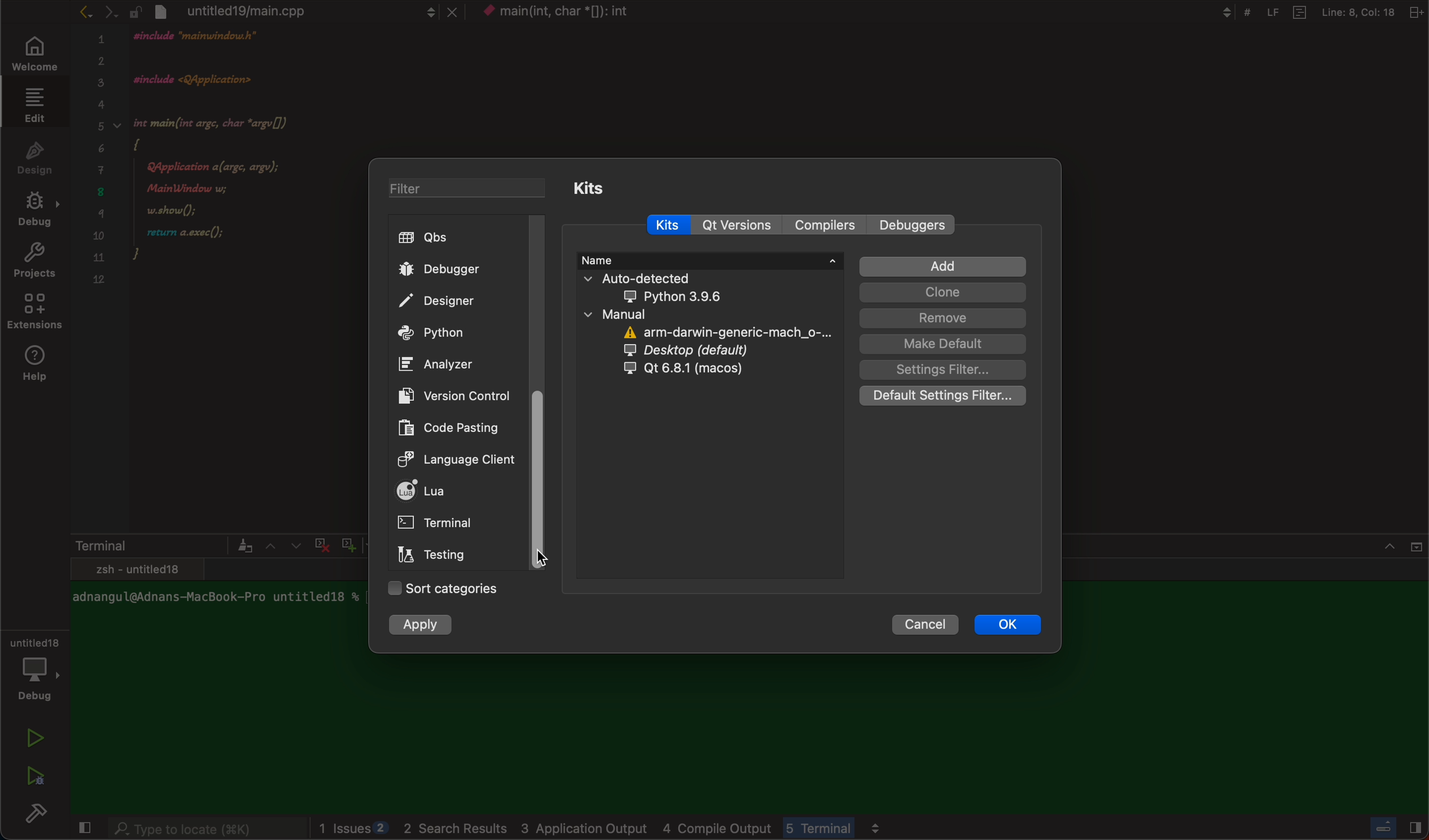 The width and height of the screenshot is (1429, 840). Describe the element at coordinates (456, 334) in the screenshot. I see `python` at that location.